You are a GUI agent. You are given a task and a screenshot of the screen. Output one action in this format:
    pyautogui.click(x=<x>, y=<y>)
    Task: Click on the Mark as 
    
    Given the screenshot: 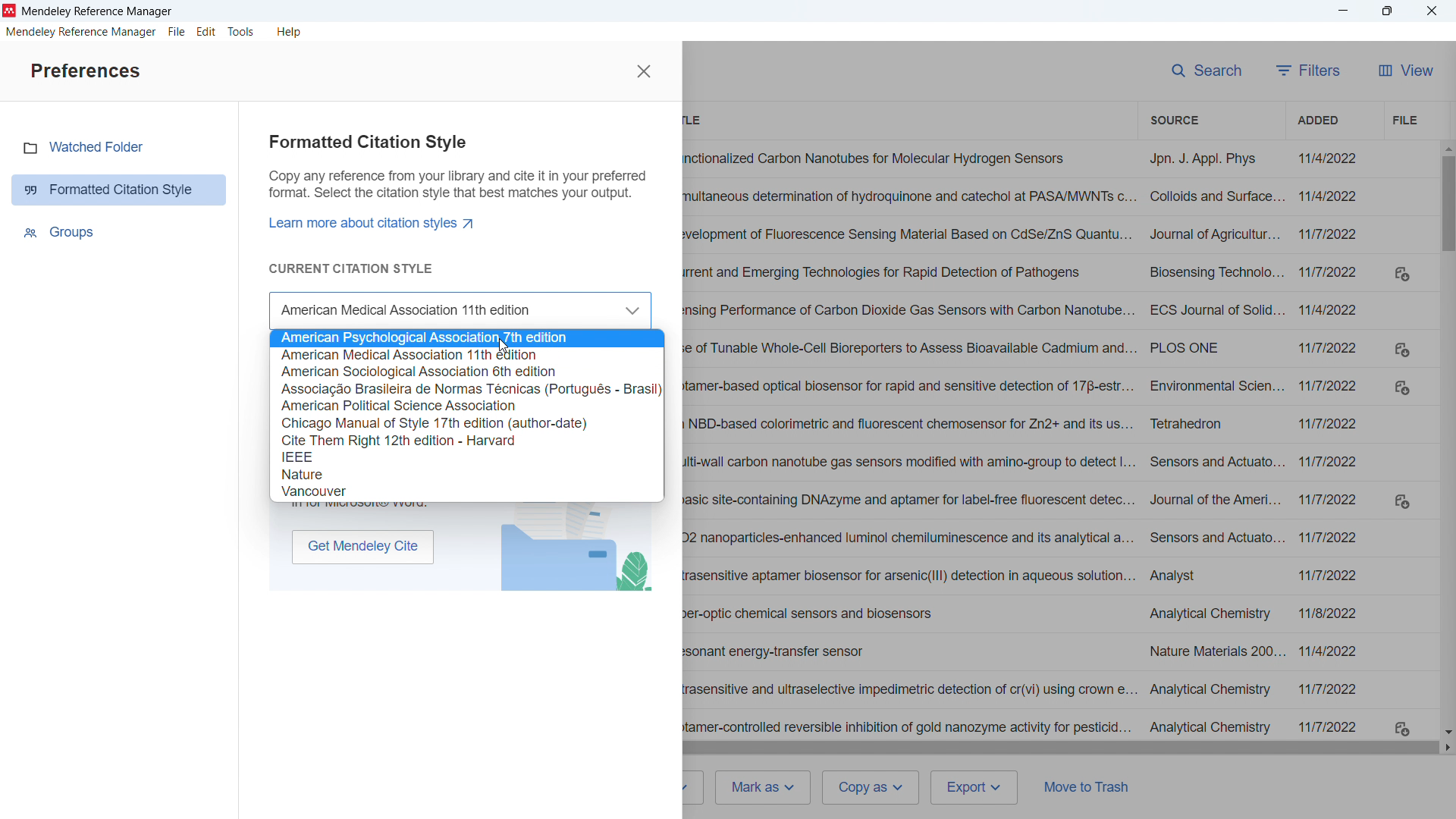 What is the action you would take?
    pyautogui.click(x=766, y=787)
    